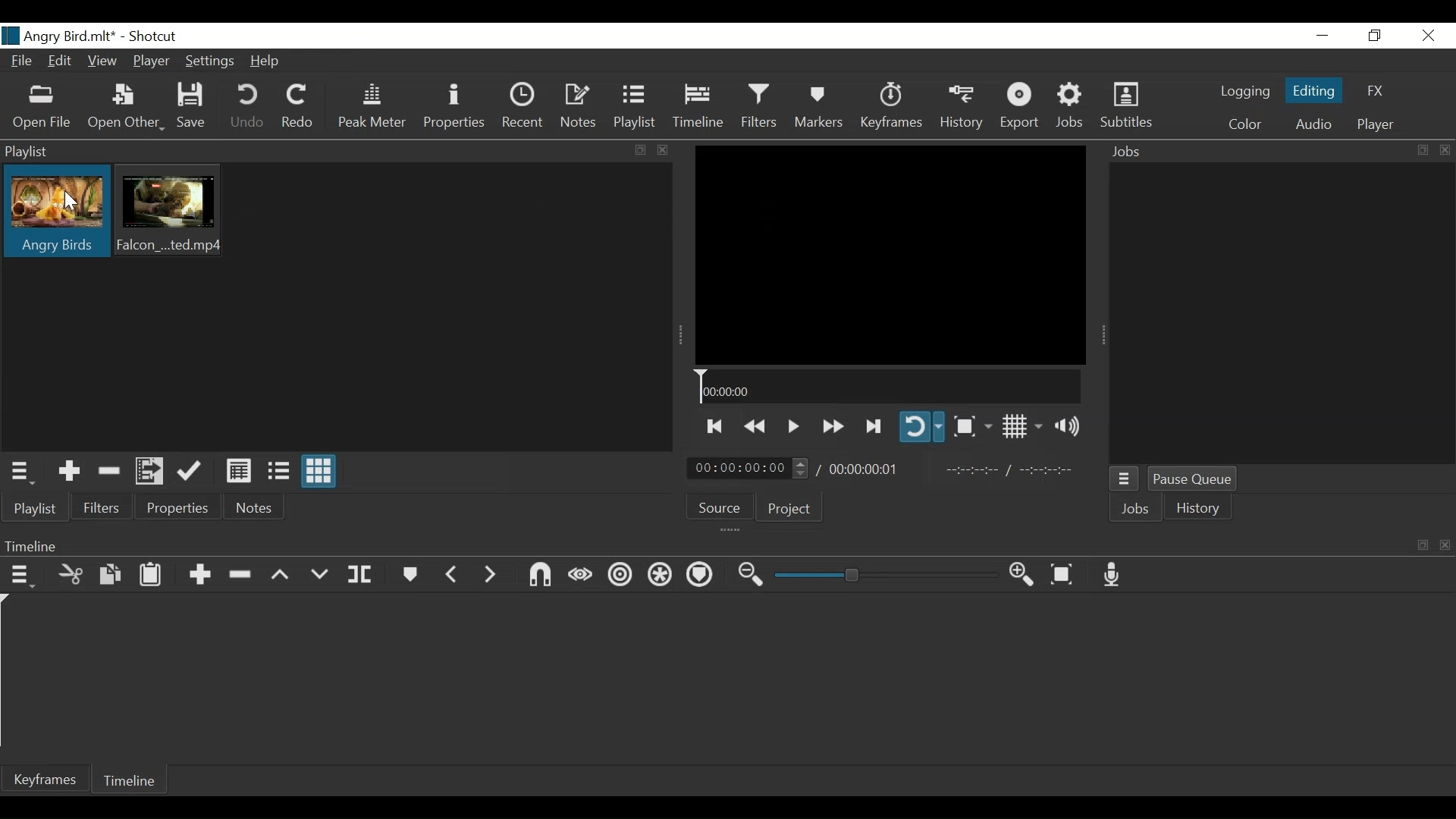 Image resolution: width=1456 pixels, height=819 pixels. What do you see at coordinates (891, 107) in the screenshot?
I see `Keyframes` at bounding box center [891, 107].